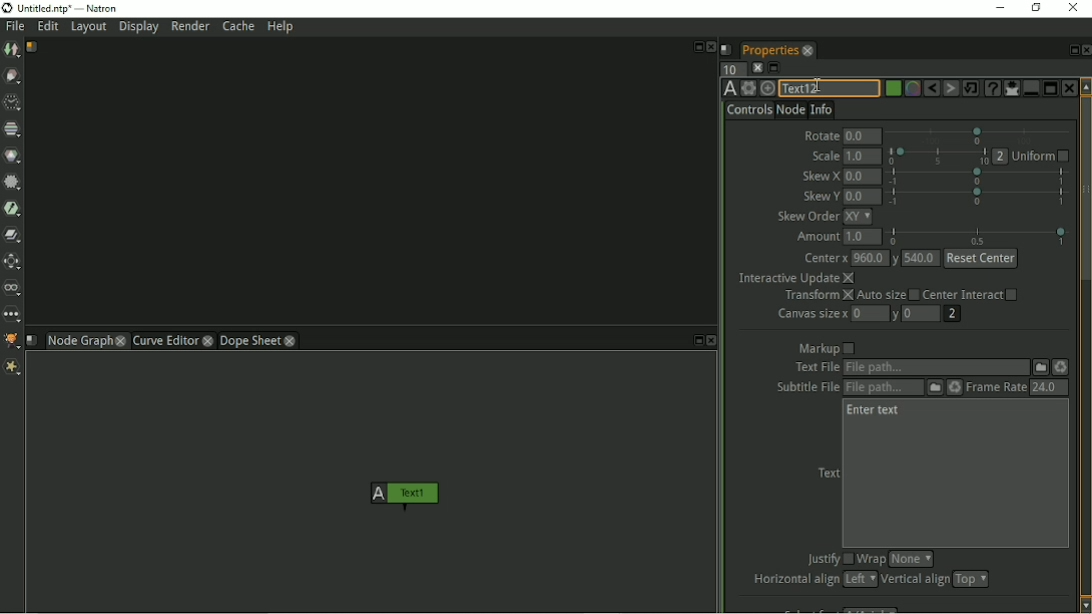  Describe the element at coordinates (870, 312) in the screenshot. I see `0` at that location.